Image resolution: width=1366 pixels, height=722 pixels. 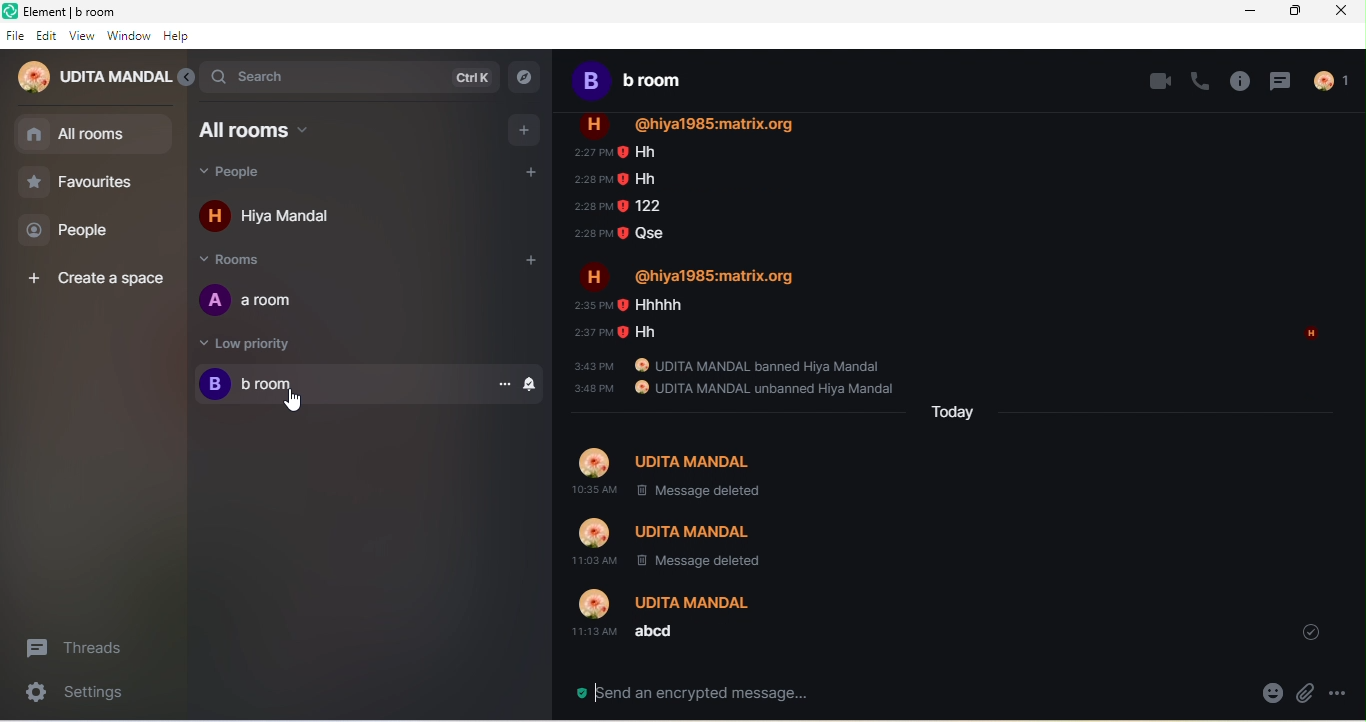 What do you see at coordinates (186, 77) in the screenshot?
I see `expand` at bounding box center [186, 77].